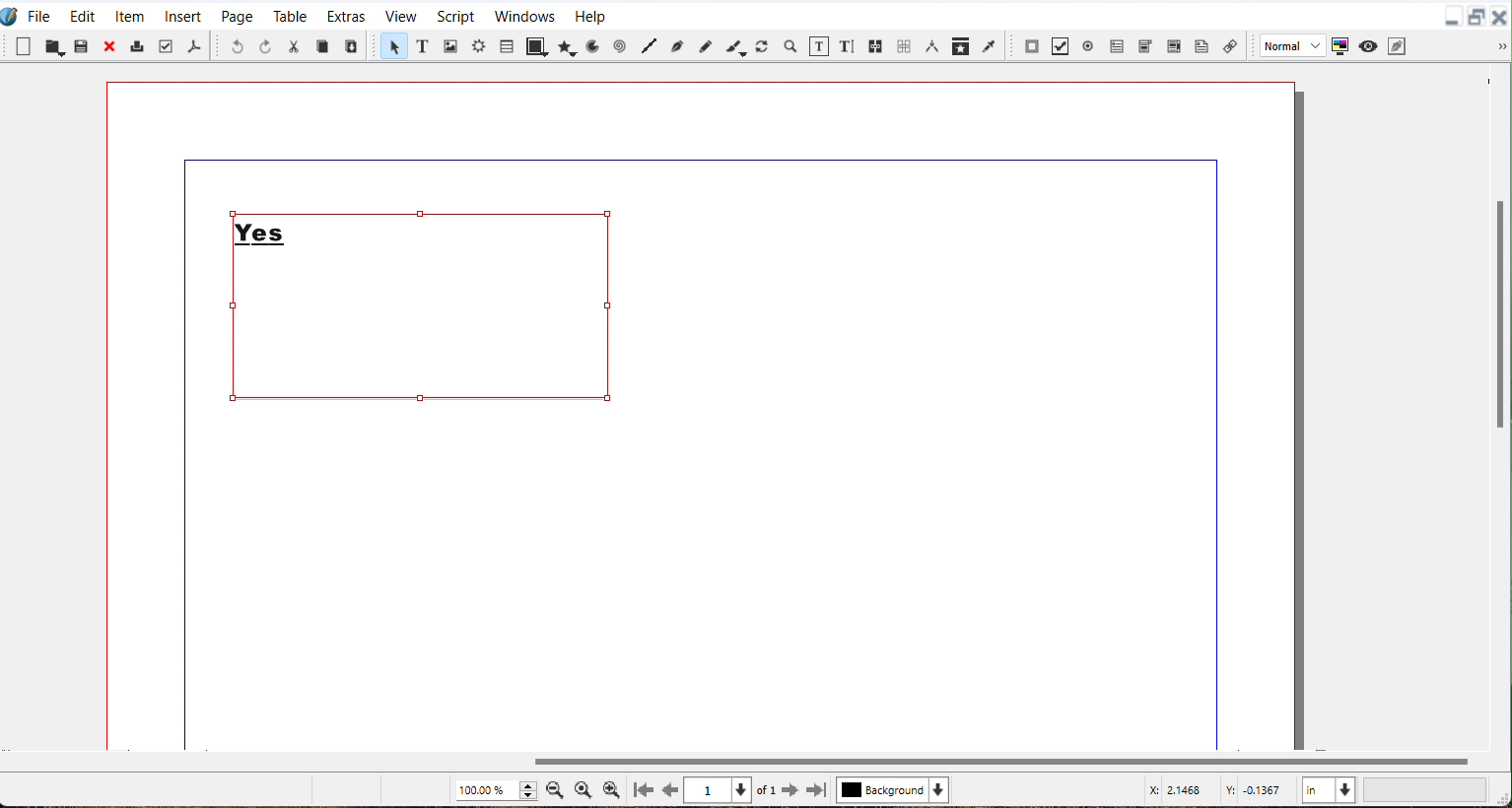 The height and width of the screenshot is (808, 1512). I want to click on Save as PDF, so click(194, 45).